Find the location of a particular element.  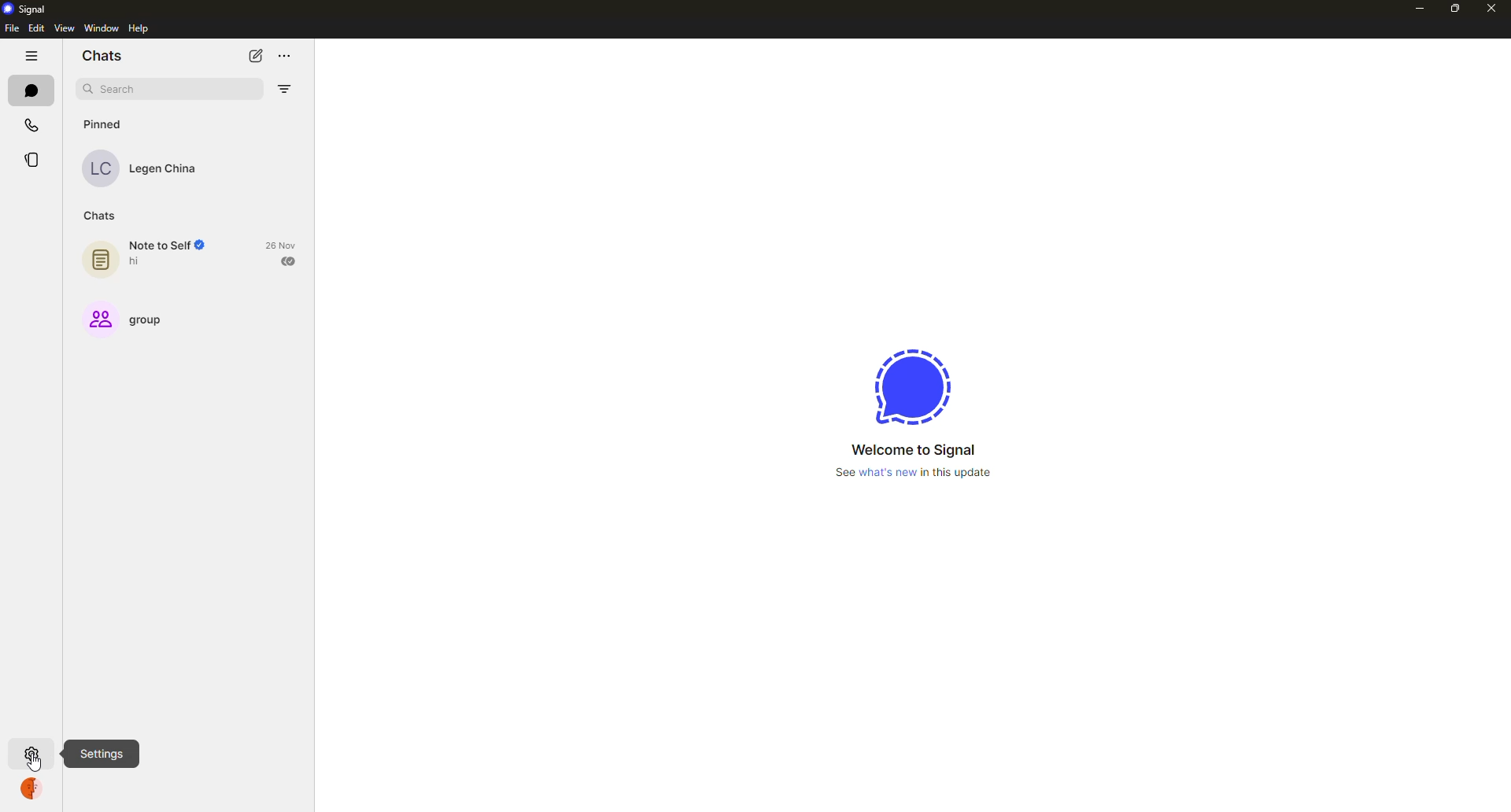

cursor is located at coordinates (35, 760).